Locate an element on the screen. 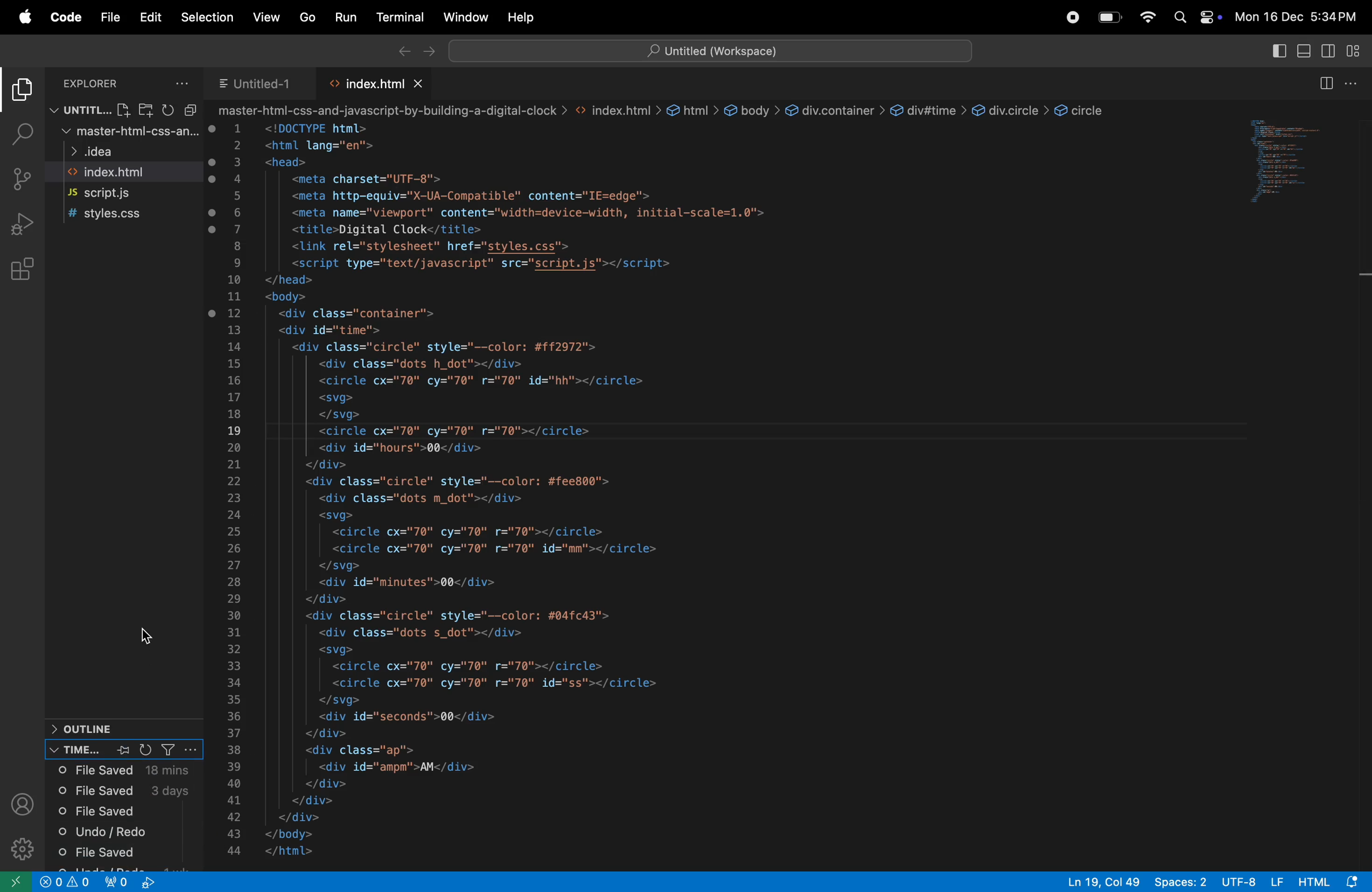 The height and width of the screenshot is (892, 1372). apple menu is located at coordinates (27, 19).